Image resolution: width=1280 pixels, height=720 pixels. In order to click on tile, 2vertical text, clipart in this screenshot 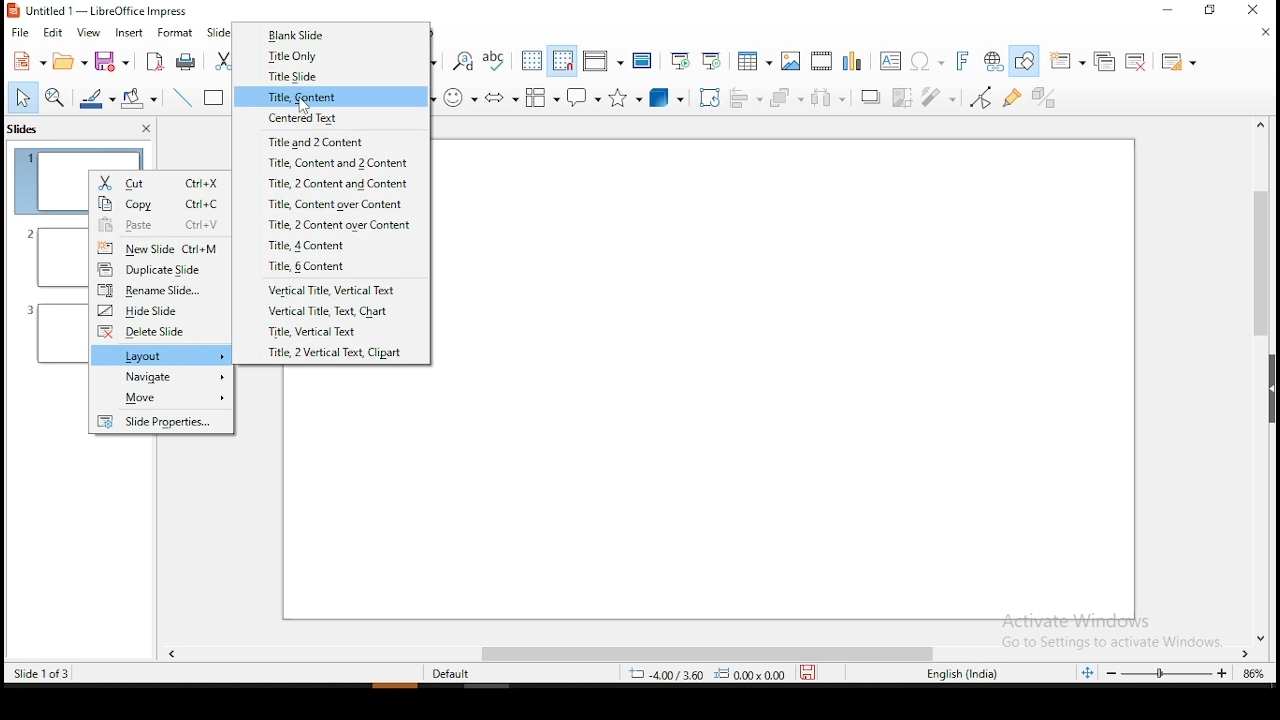, I will do `click(336, 353)`.